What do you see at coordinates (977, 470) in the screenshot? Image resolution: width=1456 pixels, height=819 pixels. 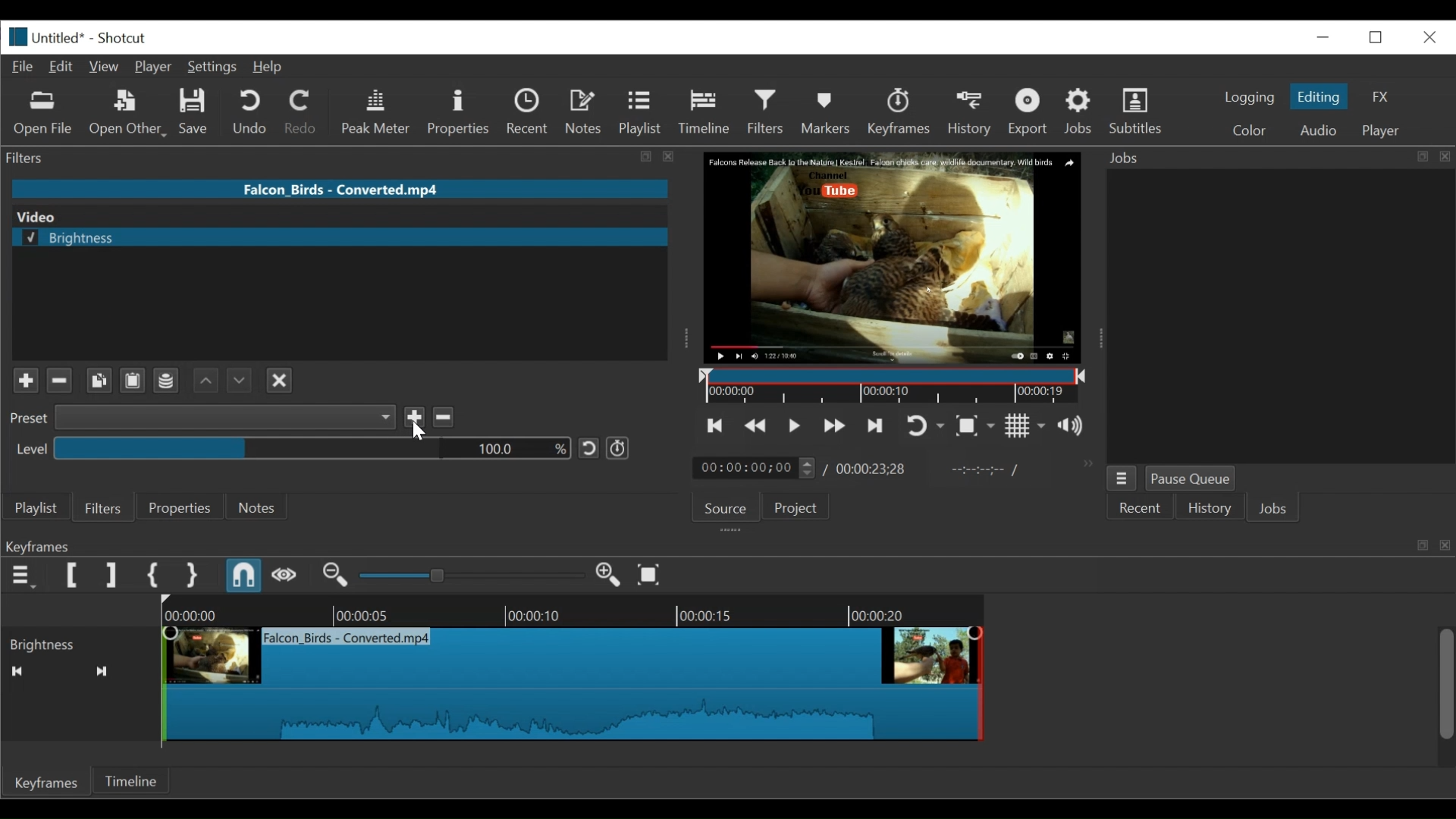 I see `In point` at bounding box center [977, 470].